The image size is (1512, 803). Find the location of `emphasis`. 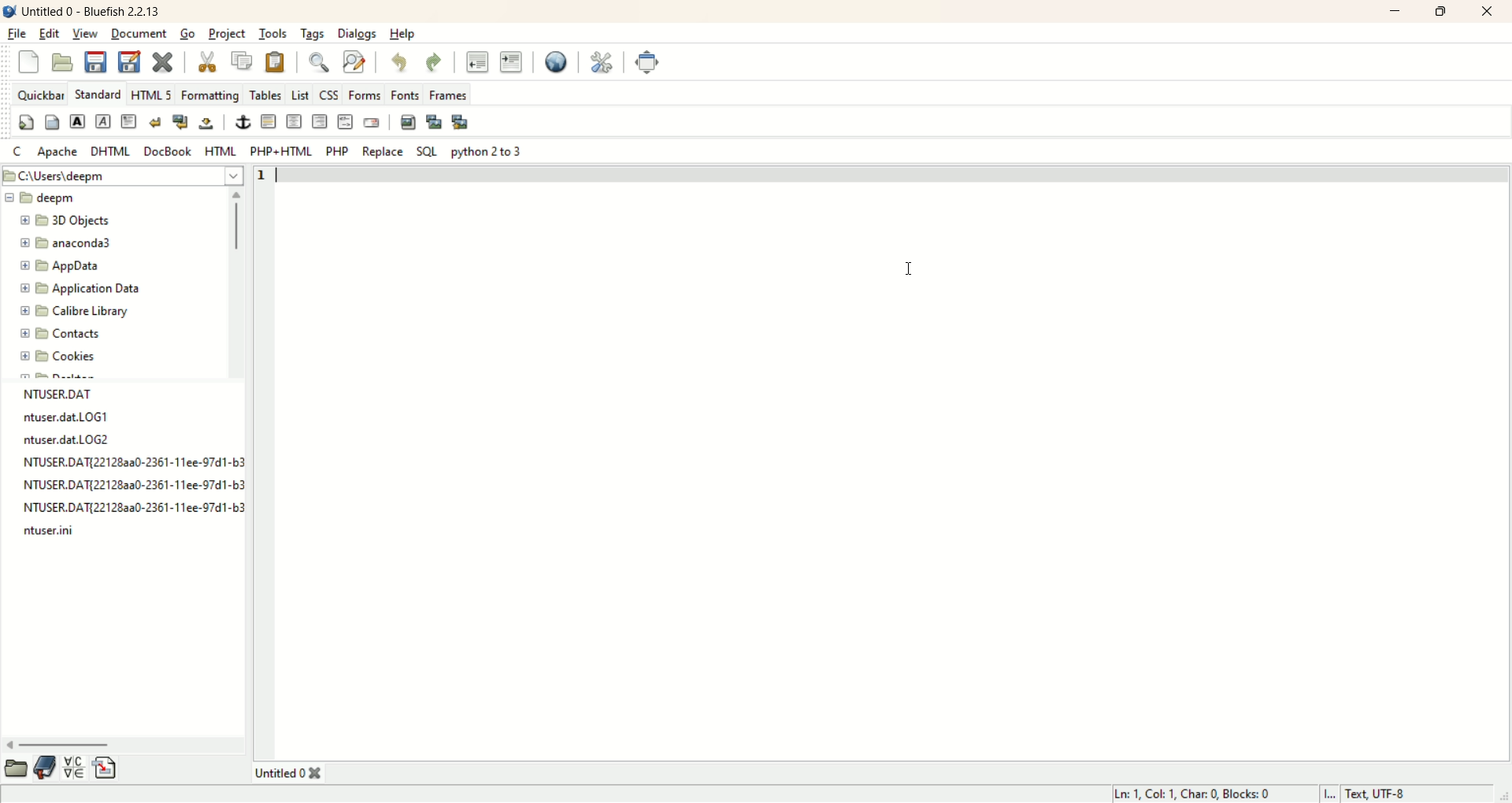

emphasis is located at coordinates (102, 123).